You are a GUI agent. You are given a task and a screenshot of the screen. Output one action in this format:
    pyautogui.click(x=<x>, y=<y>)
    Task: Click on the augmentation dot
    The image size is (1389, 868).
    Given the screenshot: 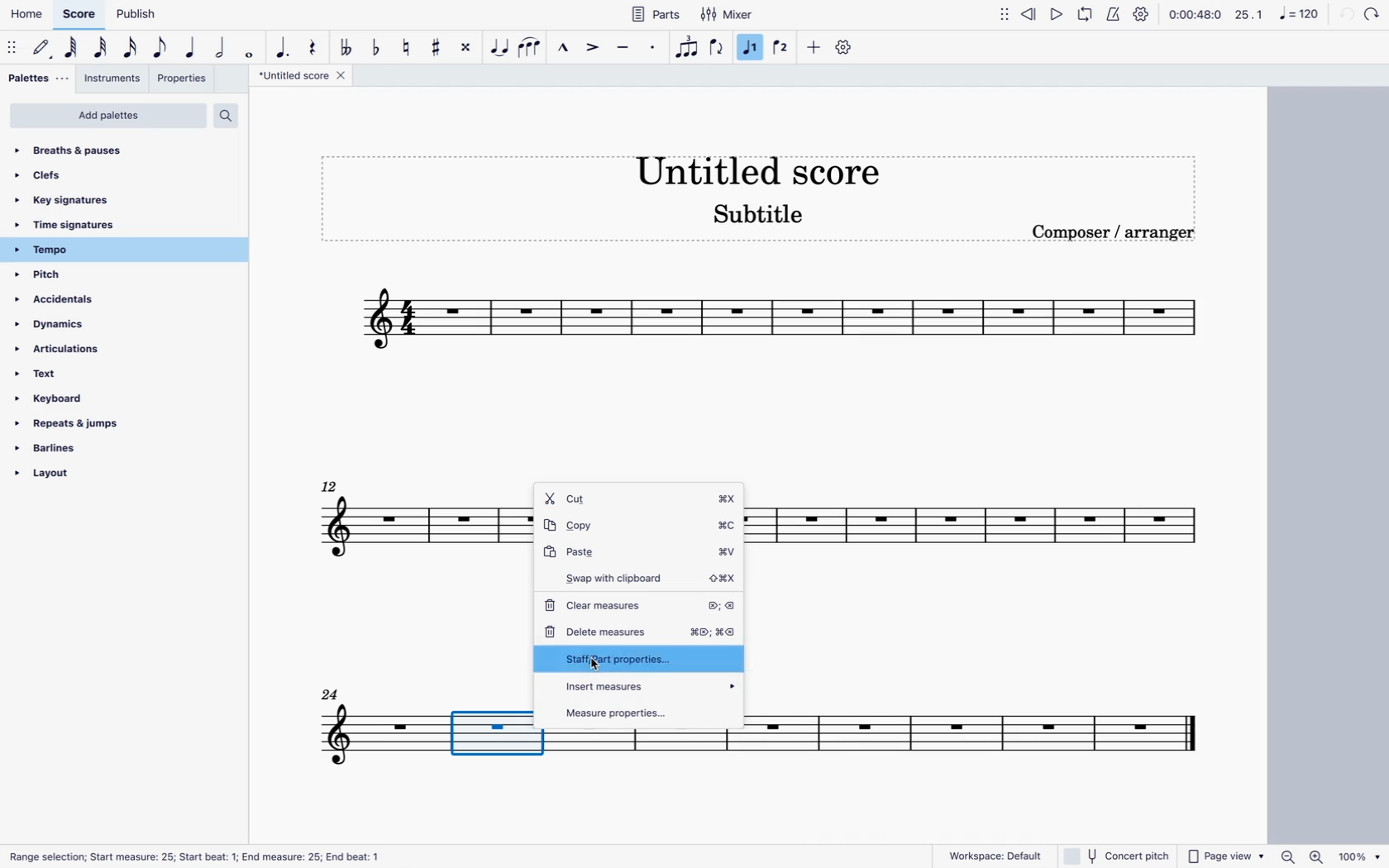 What is the action you would take?
    pyautogui.click(x=283, y=48)
    